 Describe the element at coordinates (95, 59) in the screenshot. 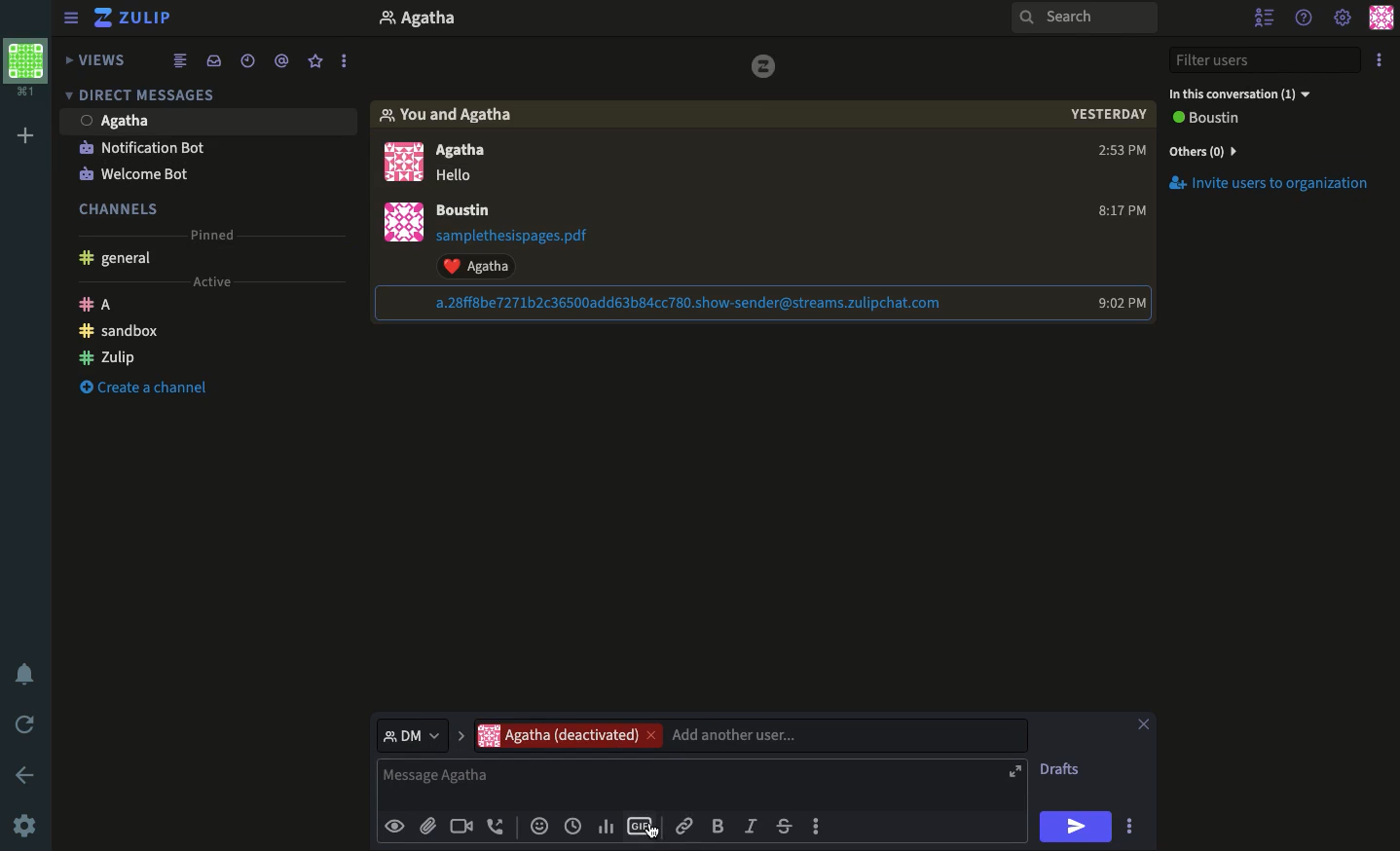

I see `Views` at that location.